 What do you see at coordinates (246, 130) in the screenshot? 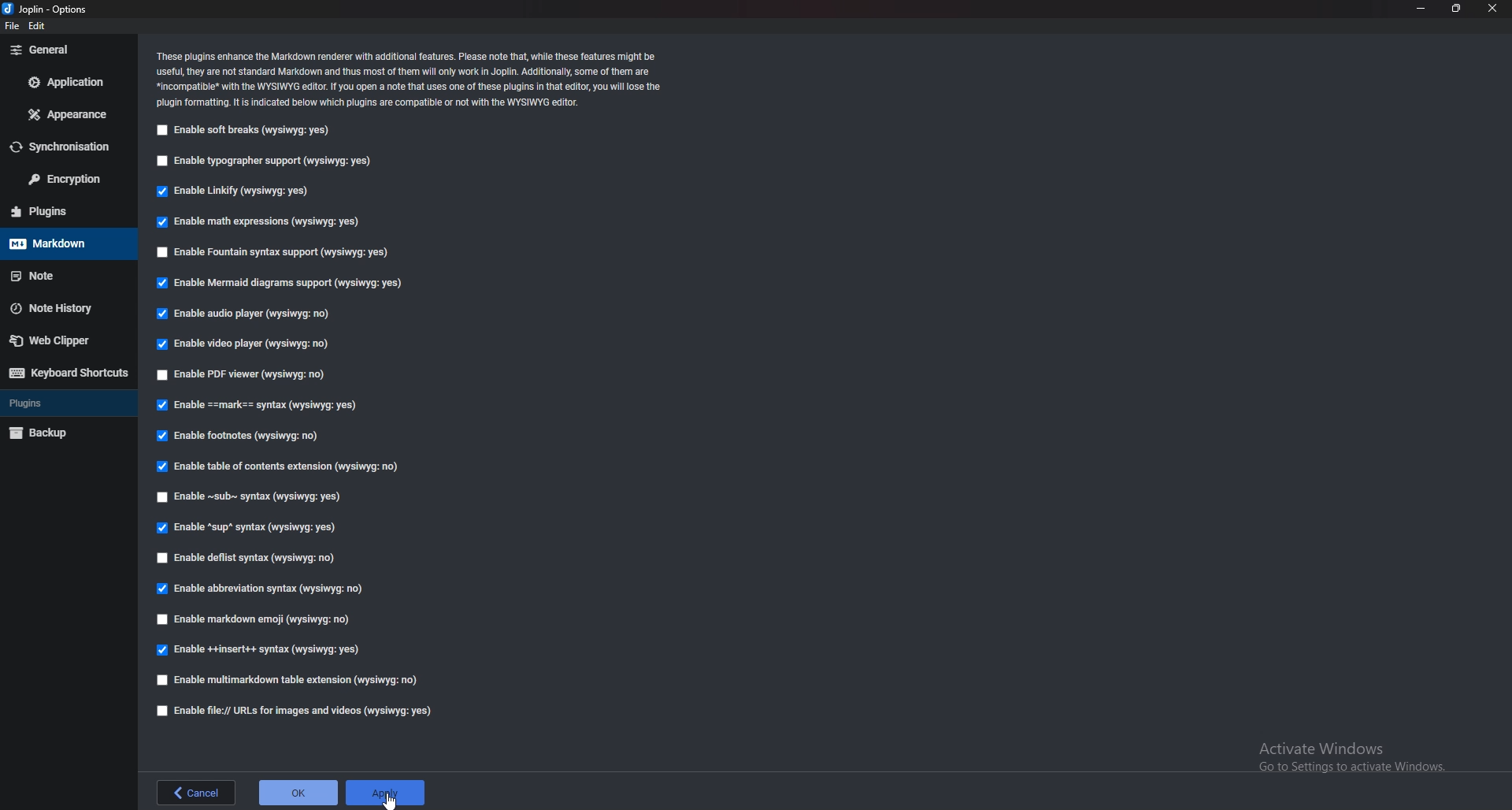
I see `Enable soft breaks` at bounding box center [246, 130].